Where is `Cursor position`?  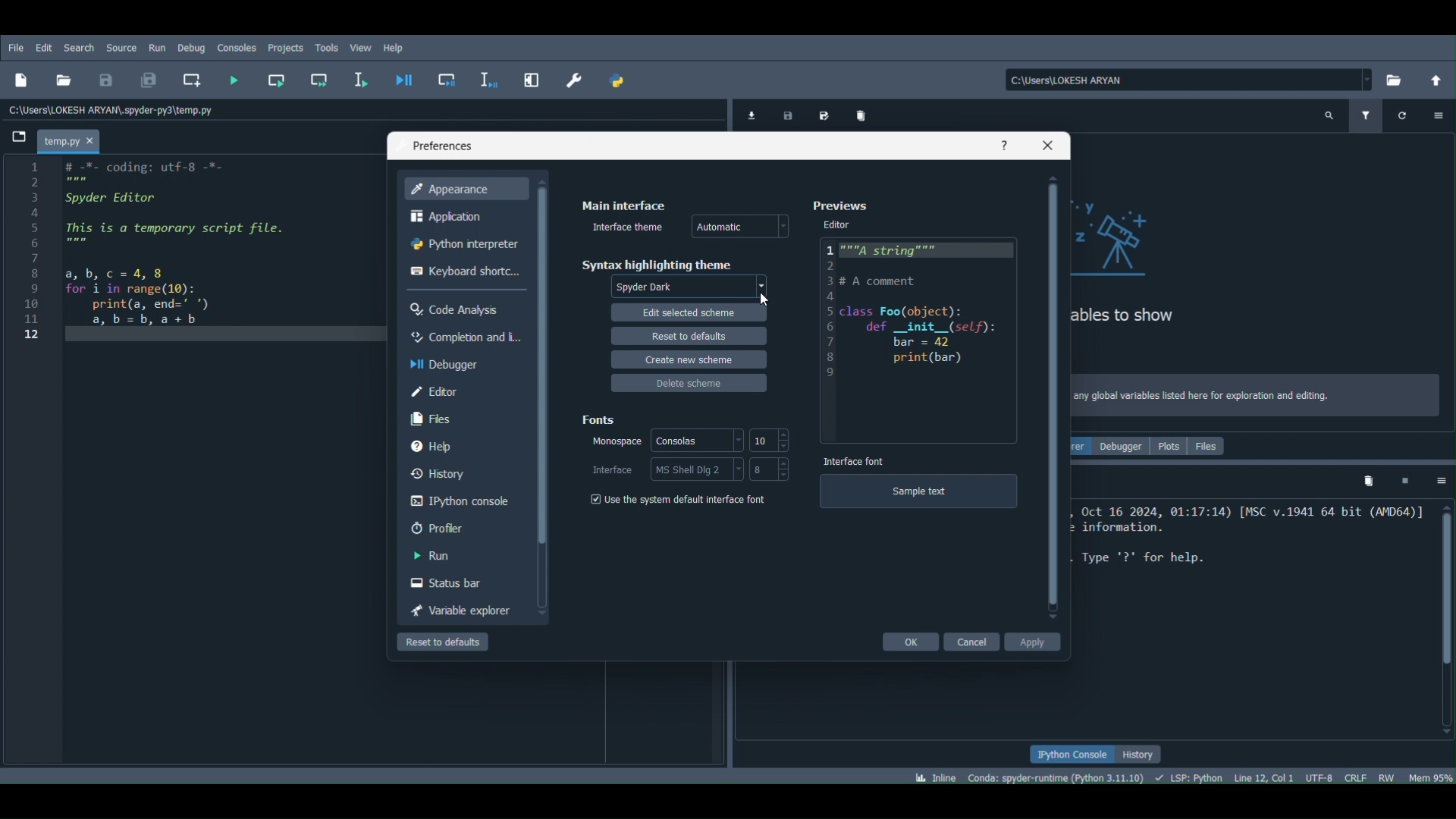 Cursor position is located at coordinates (1263, 775).